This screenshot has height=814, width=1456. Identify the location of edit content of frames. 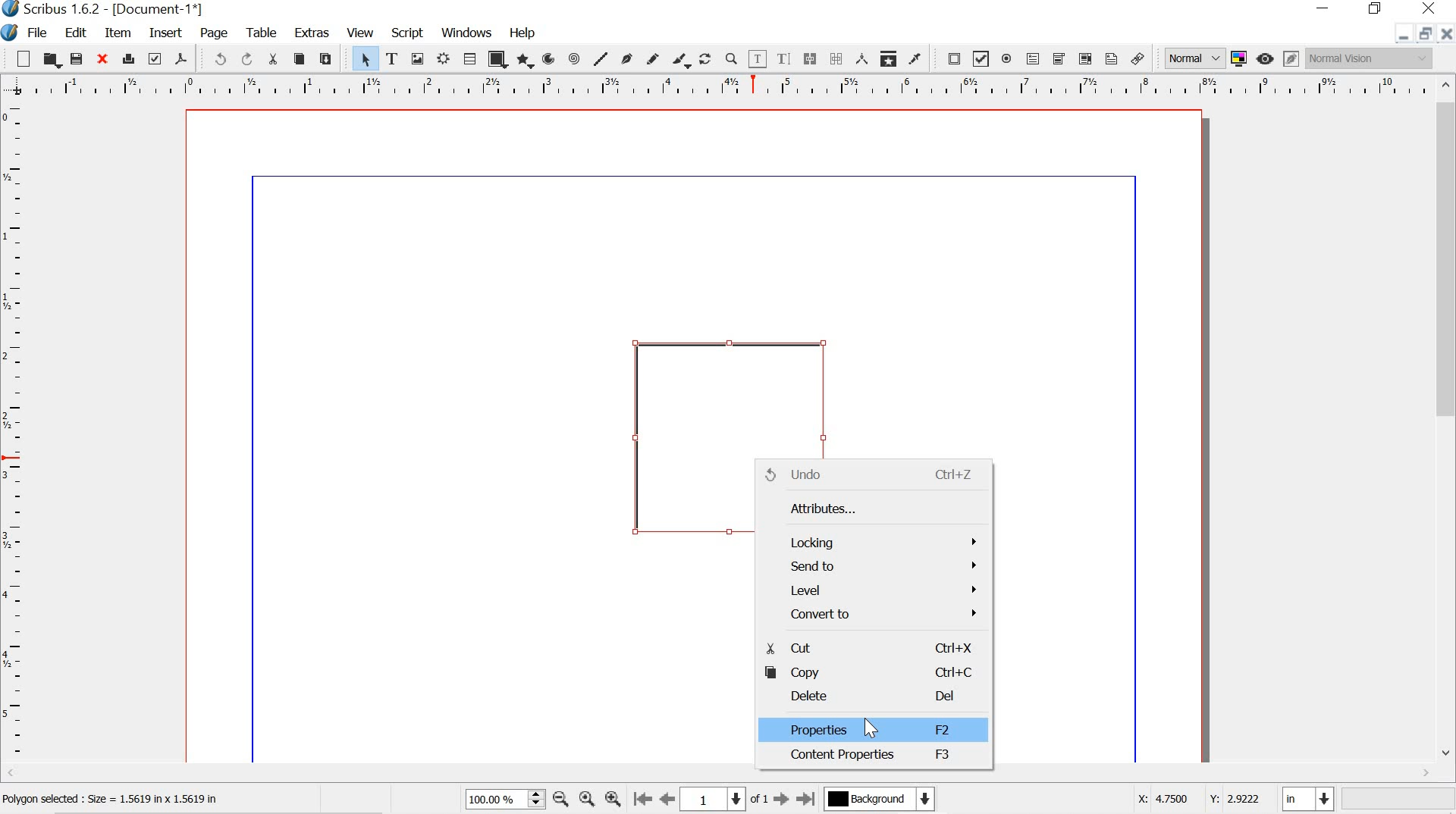
(759, 58).